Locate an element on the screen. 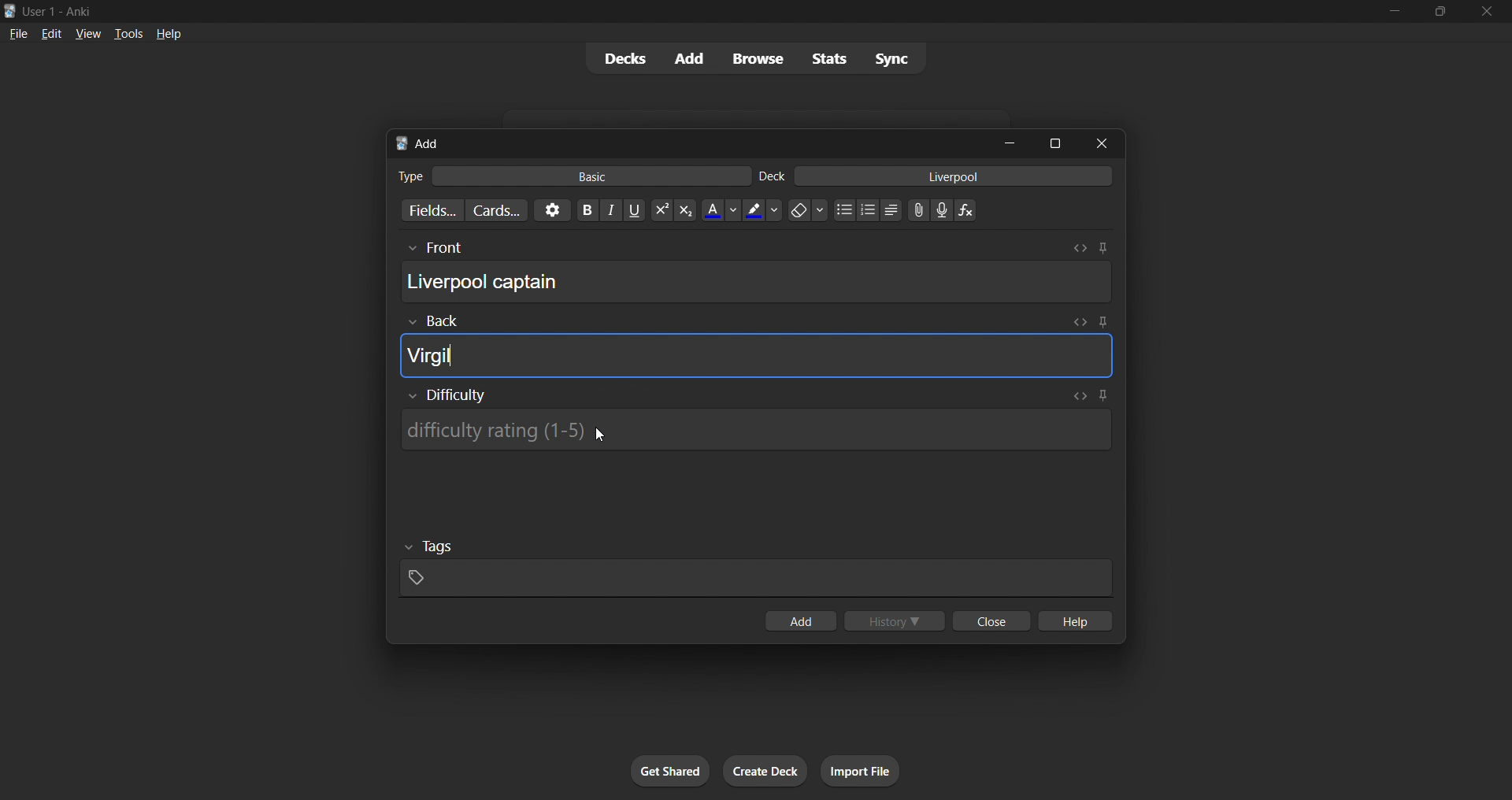 This screenshot has height=800, width=1512. minimize is located at coordinates (1394, 12).